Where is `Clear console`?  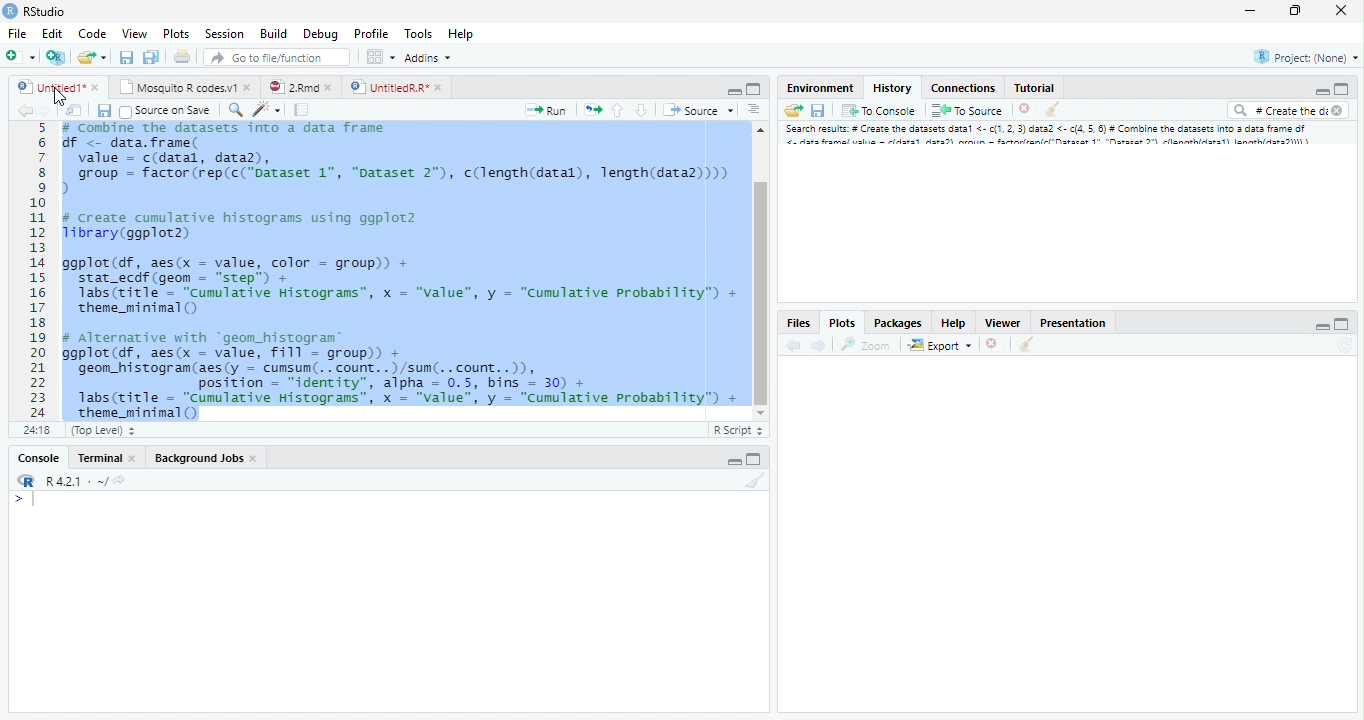 Clear console is located at coordinates (1055, 111).